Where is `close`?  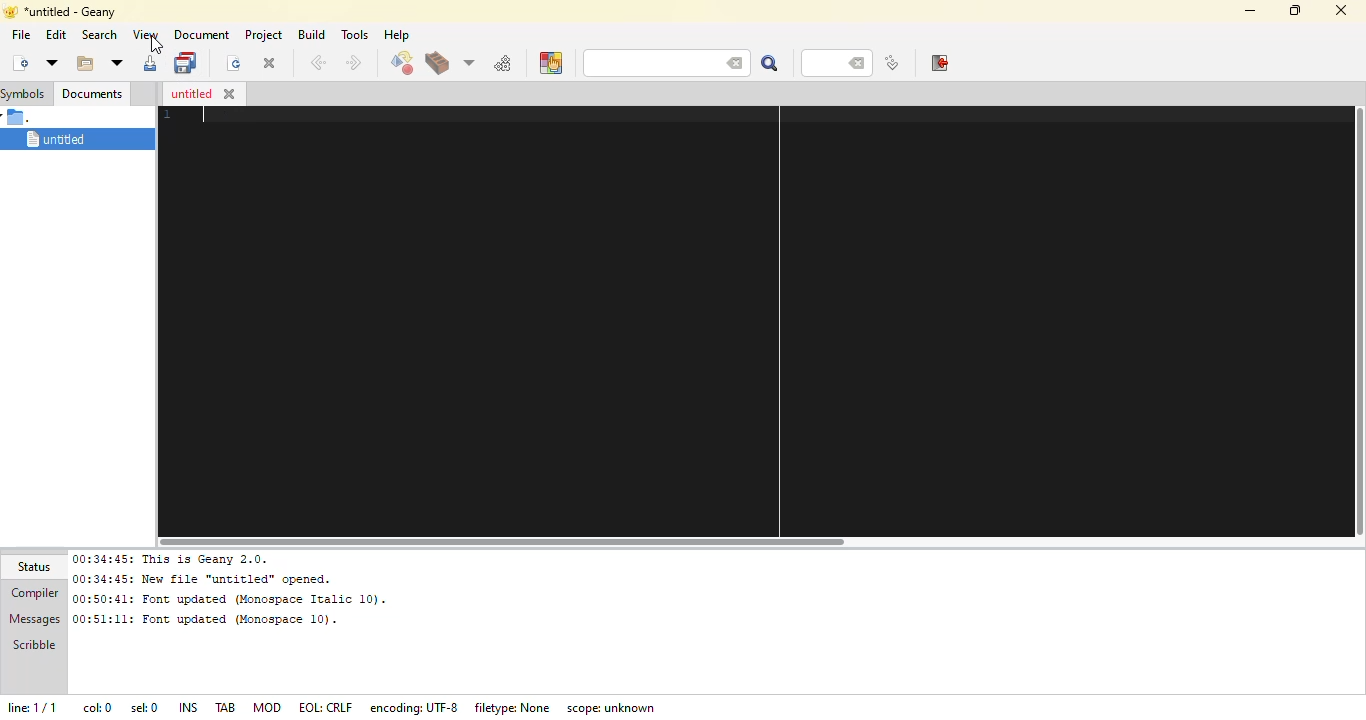 close is located at coordinates (1342, 12).